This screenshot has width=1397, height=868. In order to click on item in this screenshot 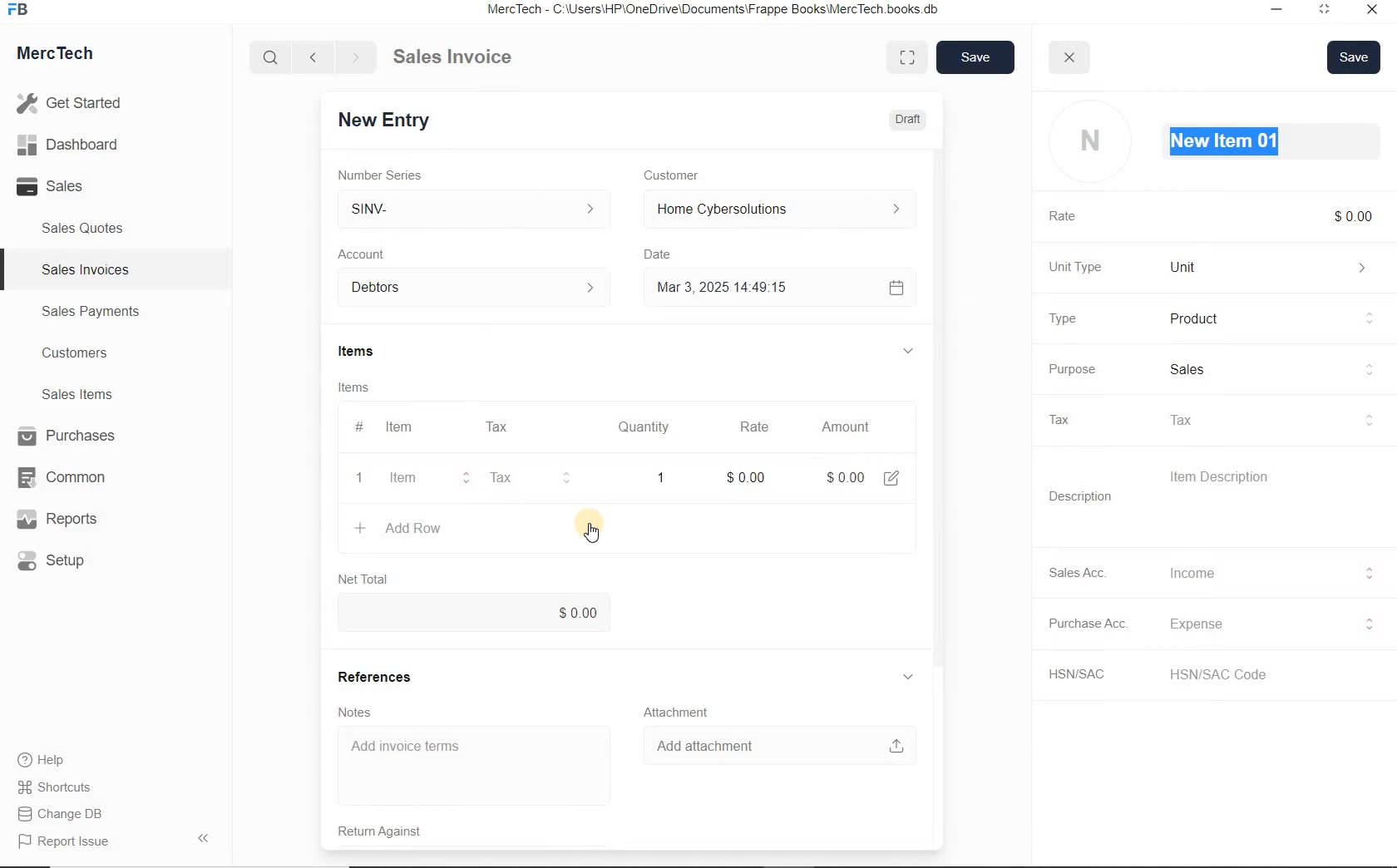, I will do `click(407, 480)`.